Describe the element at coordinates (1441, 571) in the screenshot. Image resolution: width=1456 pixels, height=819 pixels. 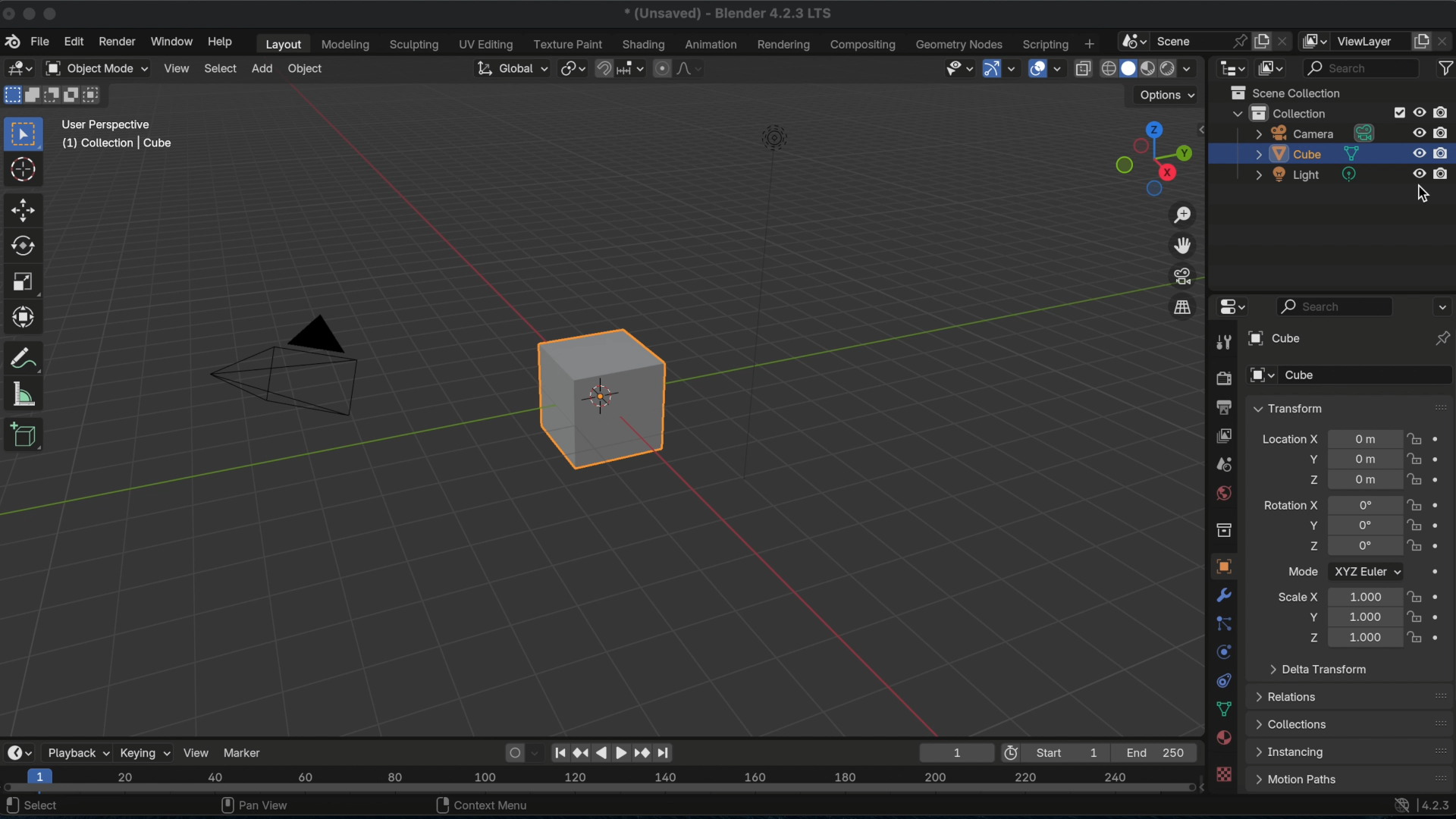
I see `animate property` at that location.